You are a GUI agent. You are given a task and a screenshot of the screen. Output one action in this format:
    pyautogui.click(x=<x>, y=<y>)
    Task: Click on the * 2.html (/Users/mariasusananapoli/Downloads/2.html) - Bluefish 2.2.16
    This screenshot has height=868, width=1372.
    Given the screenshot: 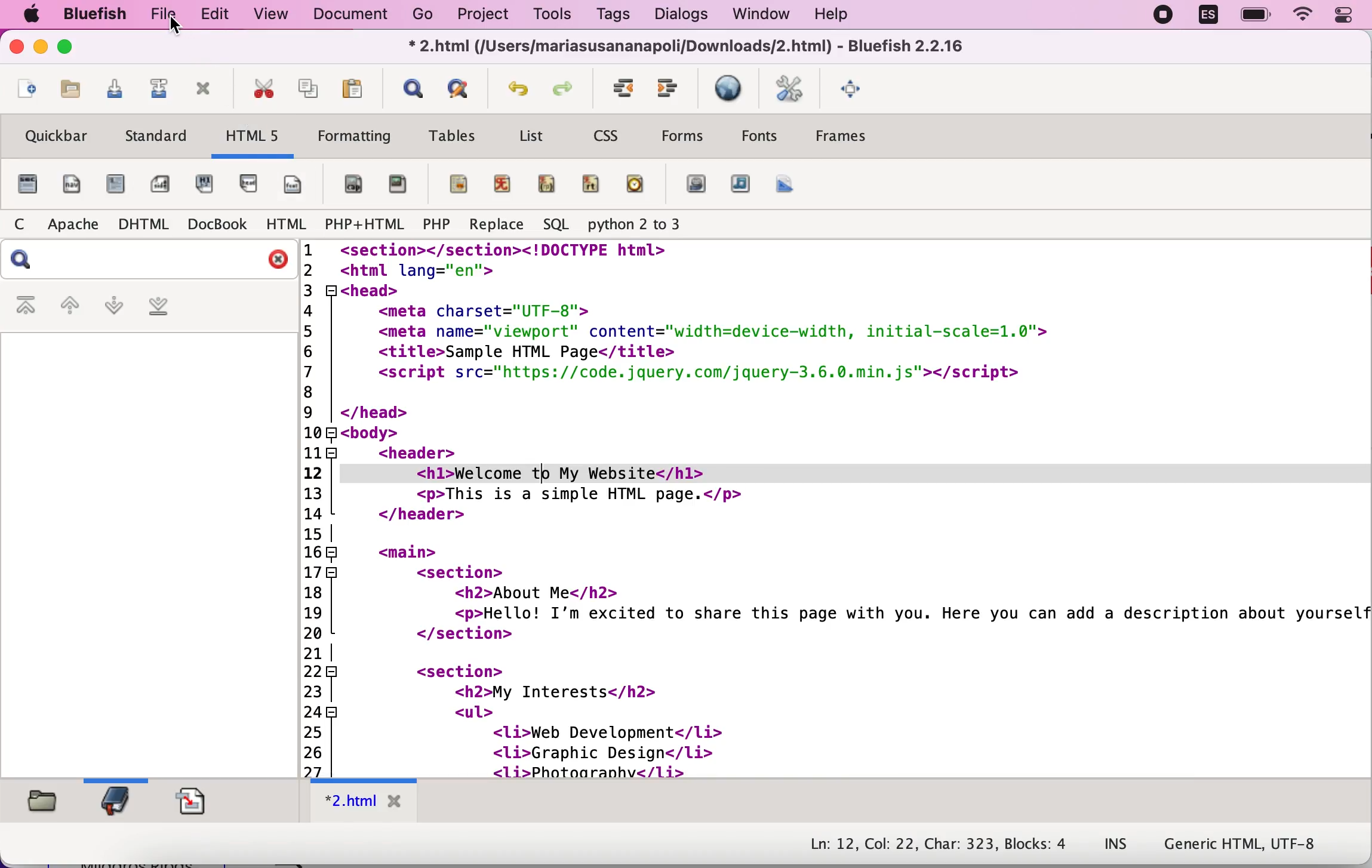 What is the action you would take?
    pyautogui.click(x=692, y=47)
    